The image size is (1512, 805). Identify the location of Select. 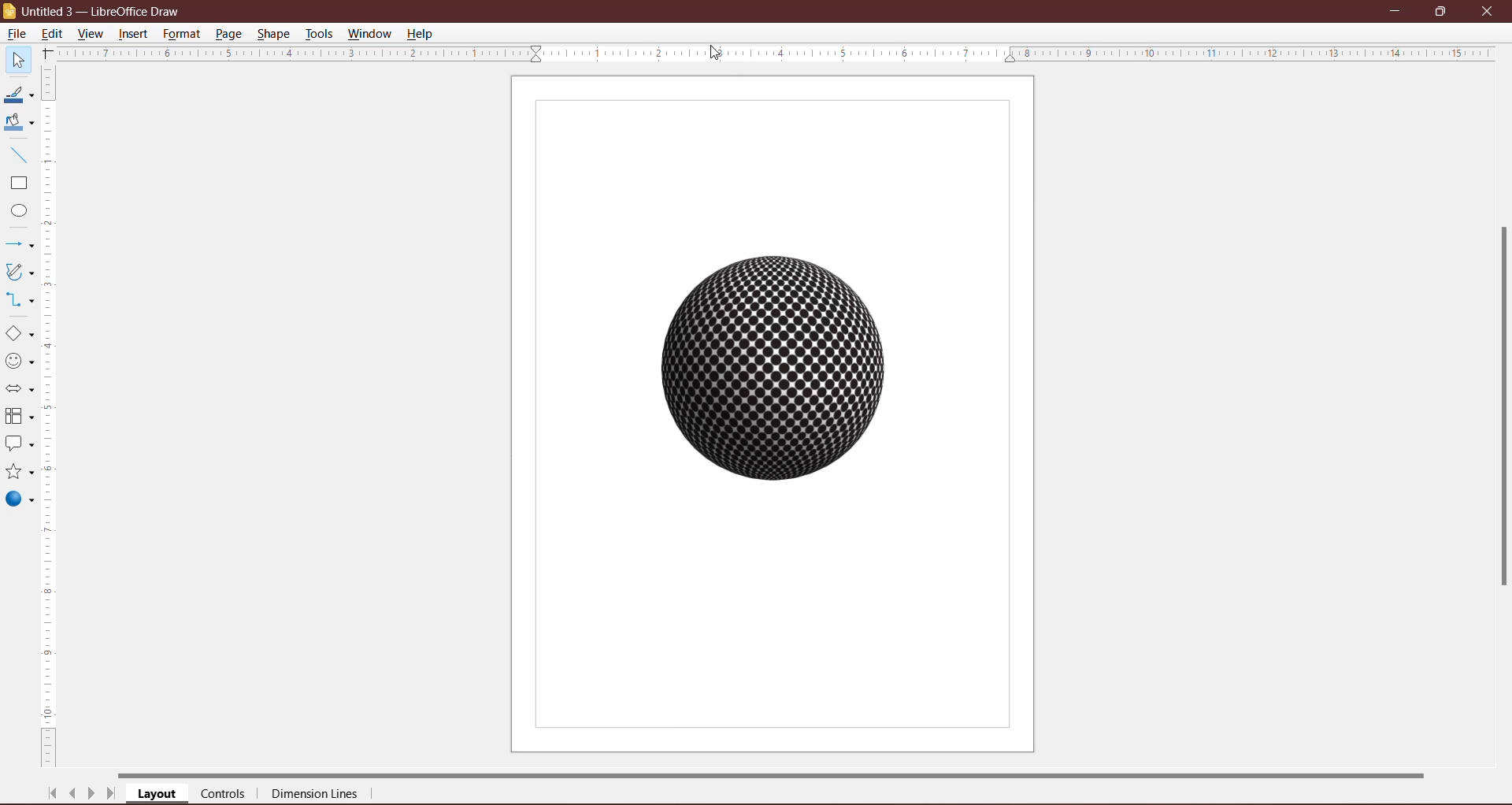
(17, 59).